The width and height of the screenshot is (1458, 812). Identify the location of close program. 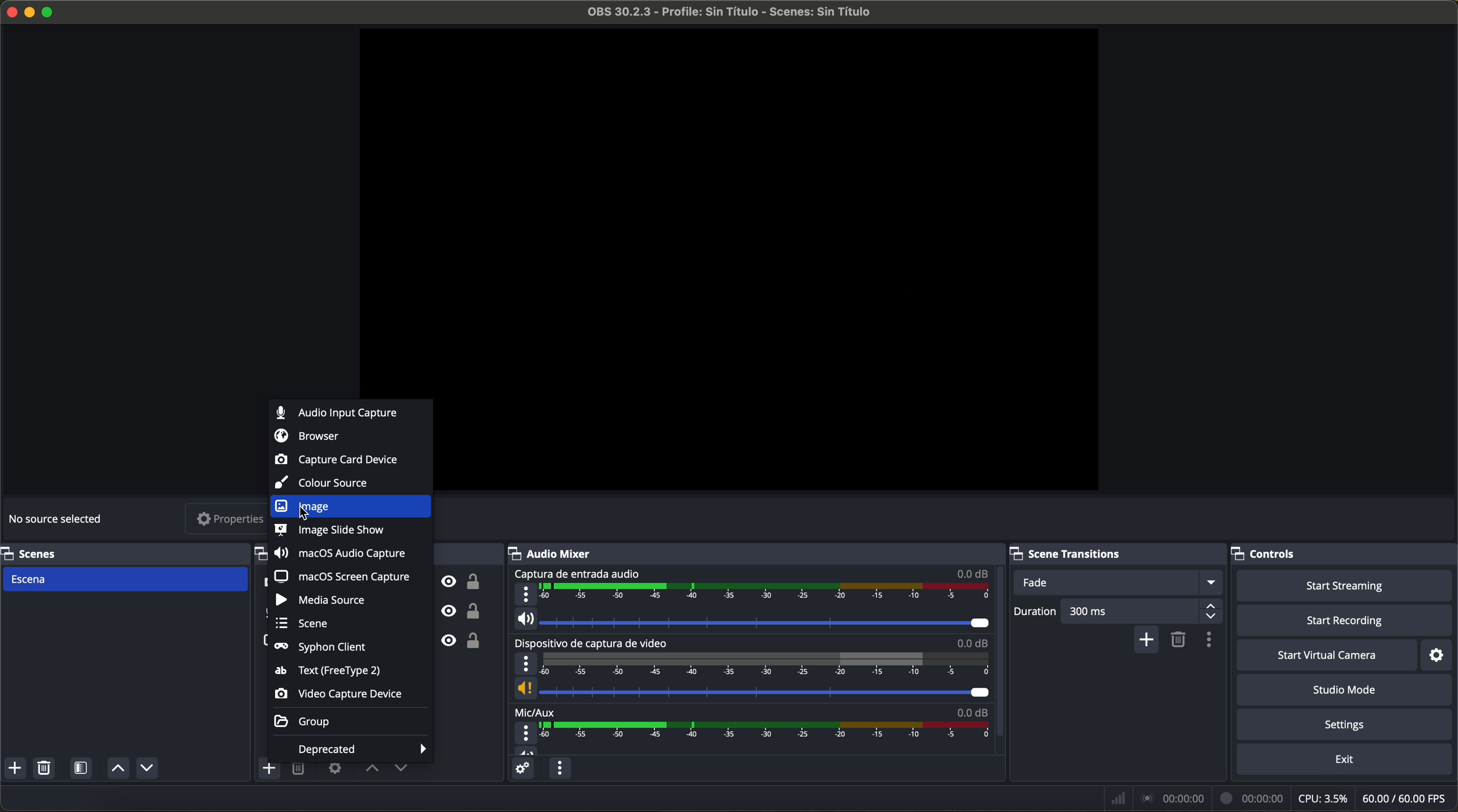
(10, 11).